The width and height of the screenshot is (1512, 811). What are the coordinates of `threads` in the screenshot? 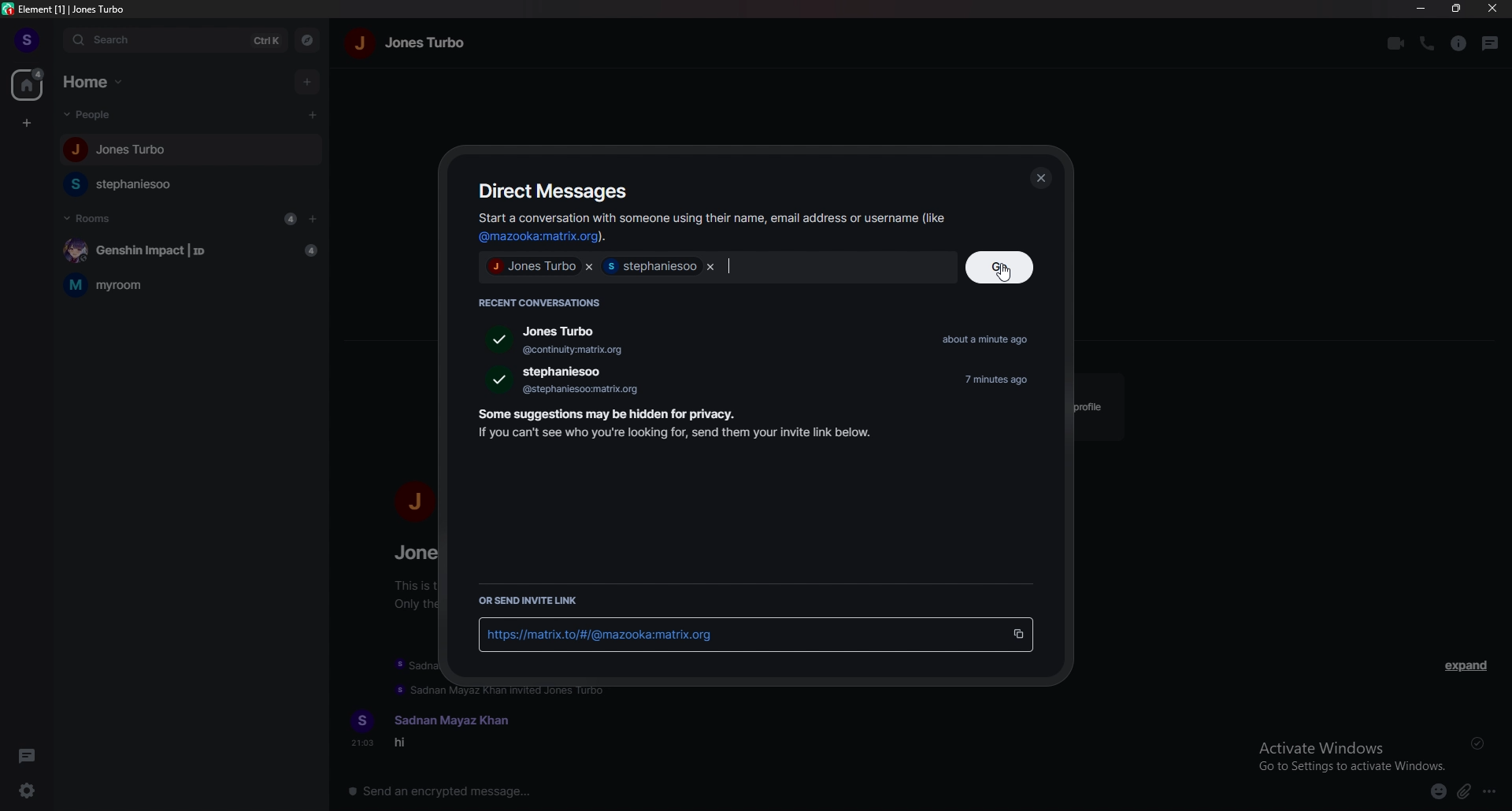 It's located at (1491, 44).